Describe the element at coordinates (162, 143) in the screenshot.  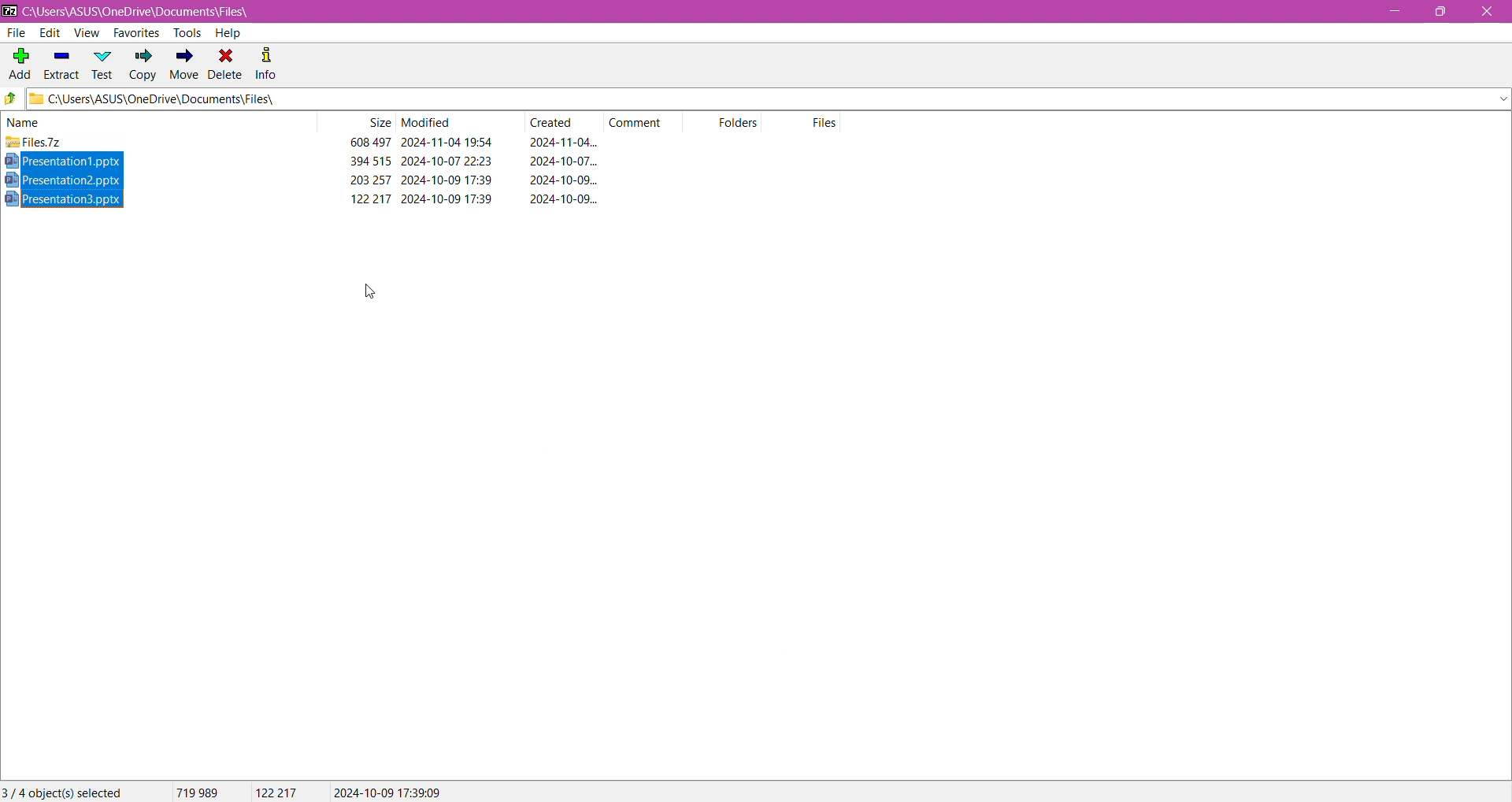
I see `New '.7z' zip file created for the selected files` at that location.